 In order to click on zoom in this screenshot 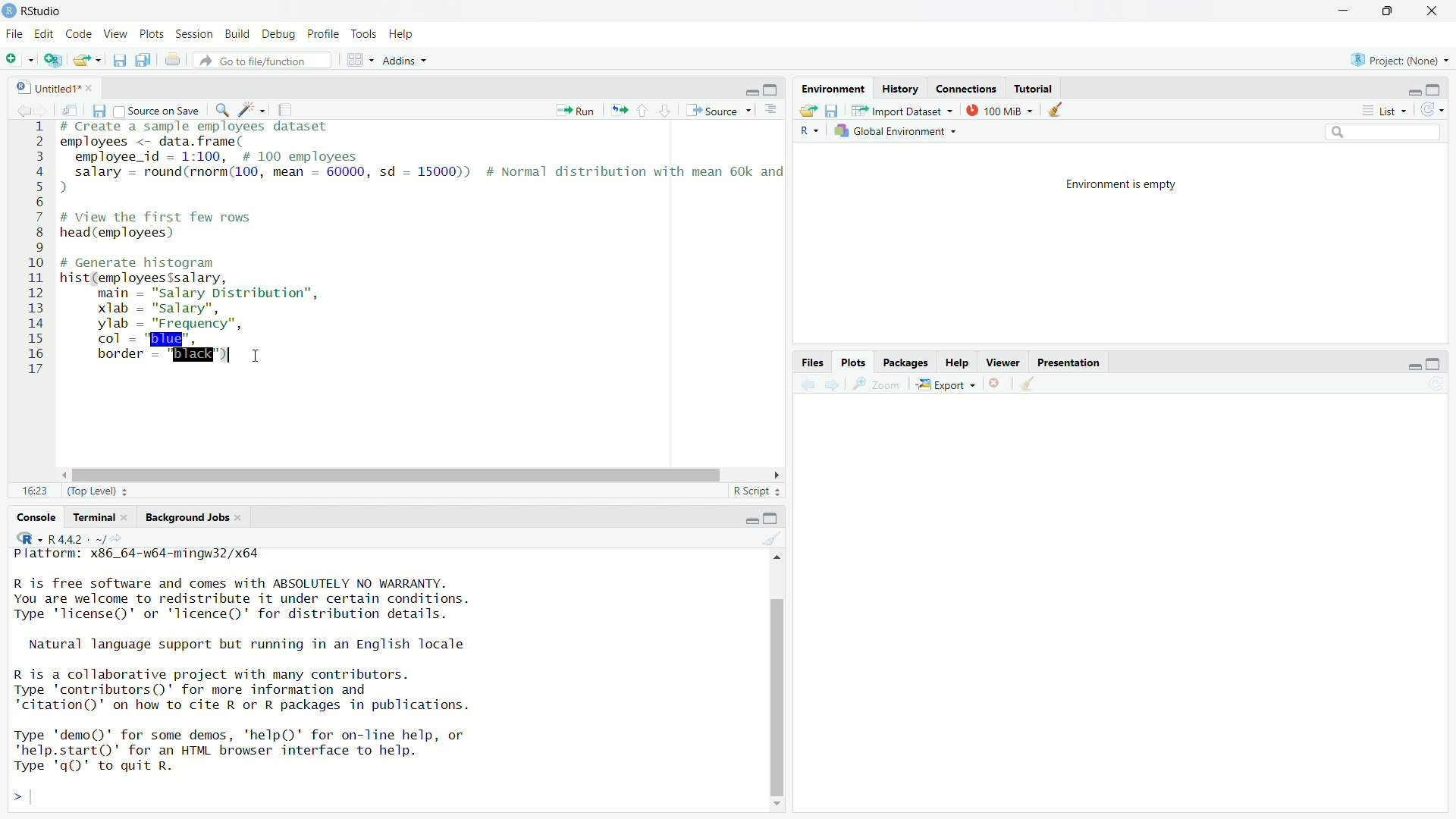, I will do `click(222, 108)`.